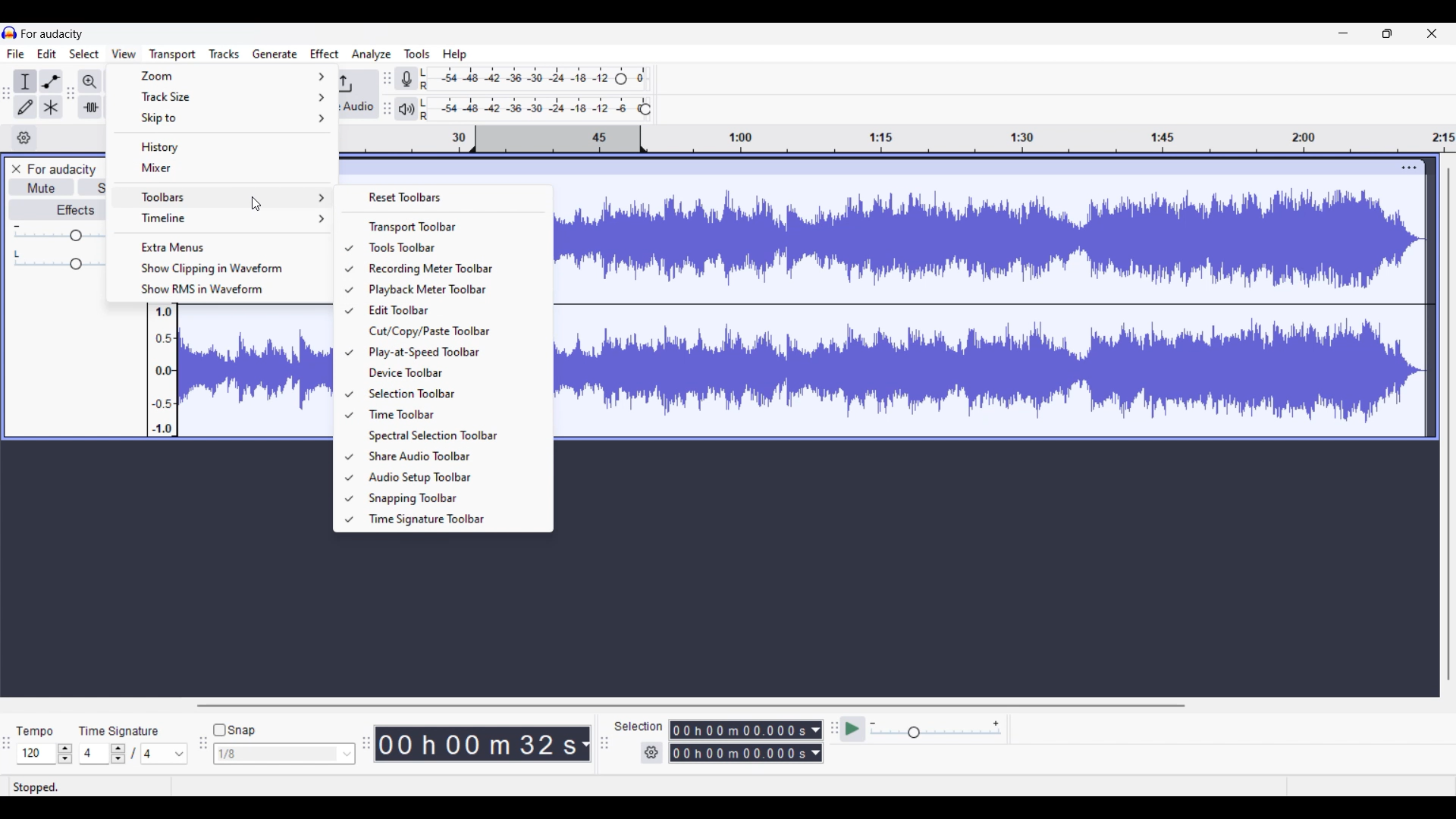 This screenshot has width=1456, height=819. Describe the element at coordinates (90, 82) in the screenshot. I see `Zoom in` at that location.